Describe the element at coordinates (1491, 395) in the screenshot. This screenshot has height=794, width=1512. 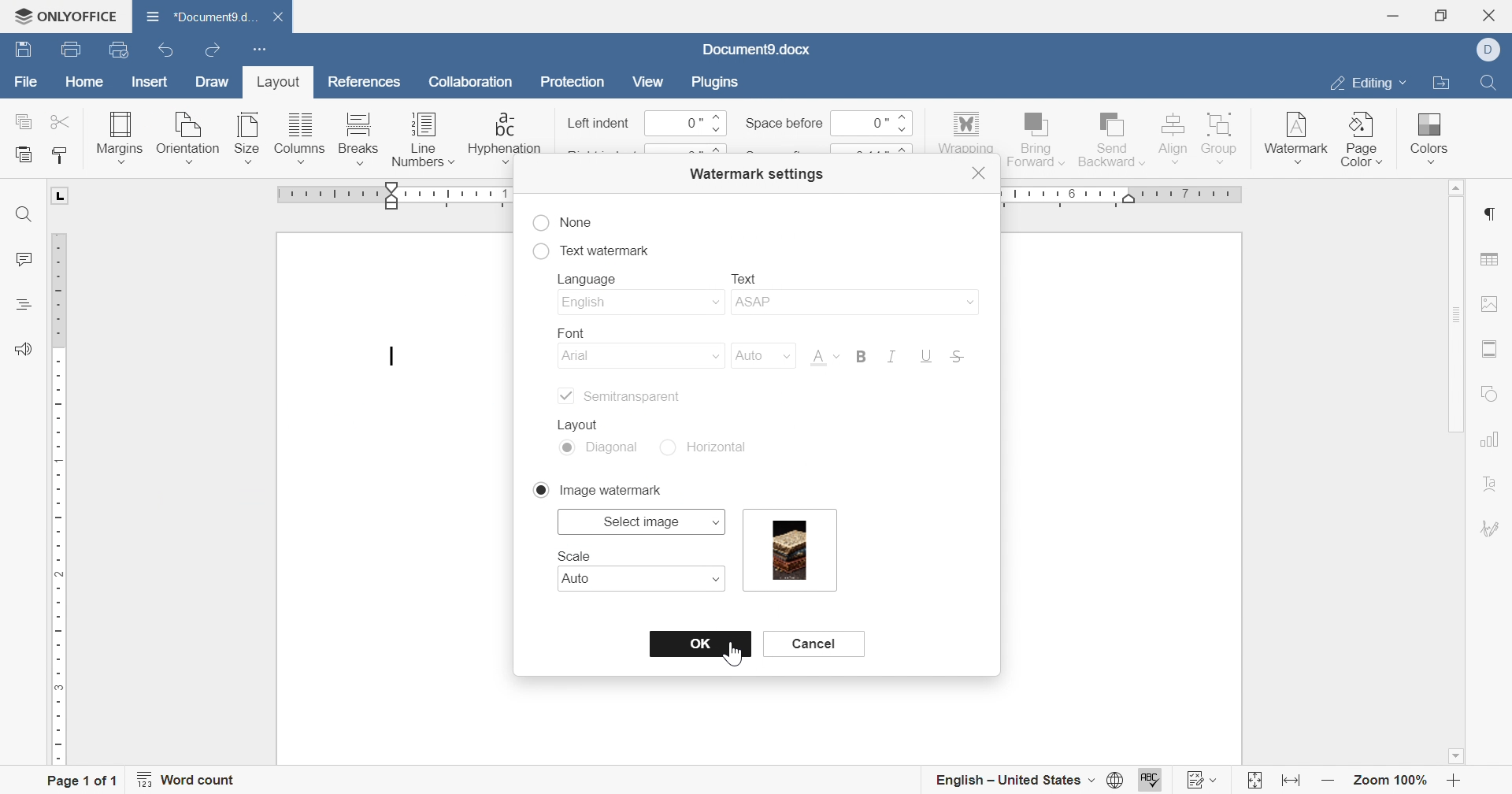
I see `shape settings` at that location.